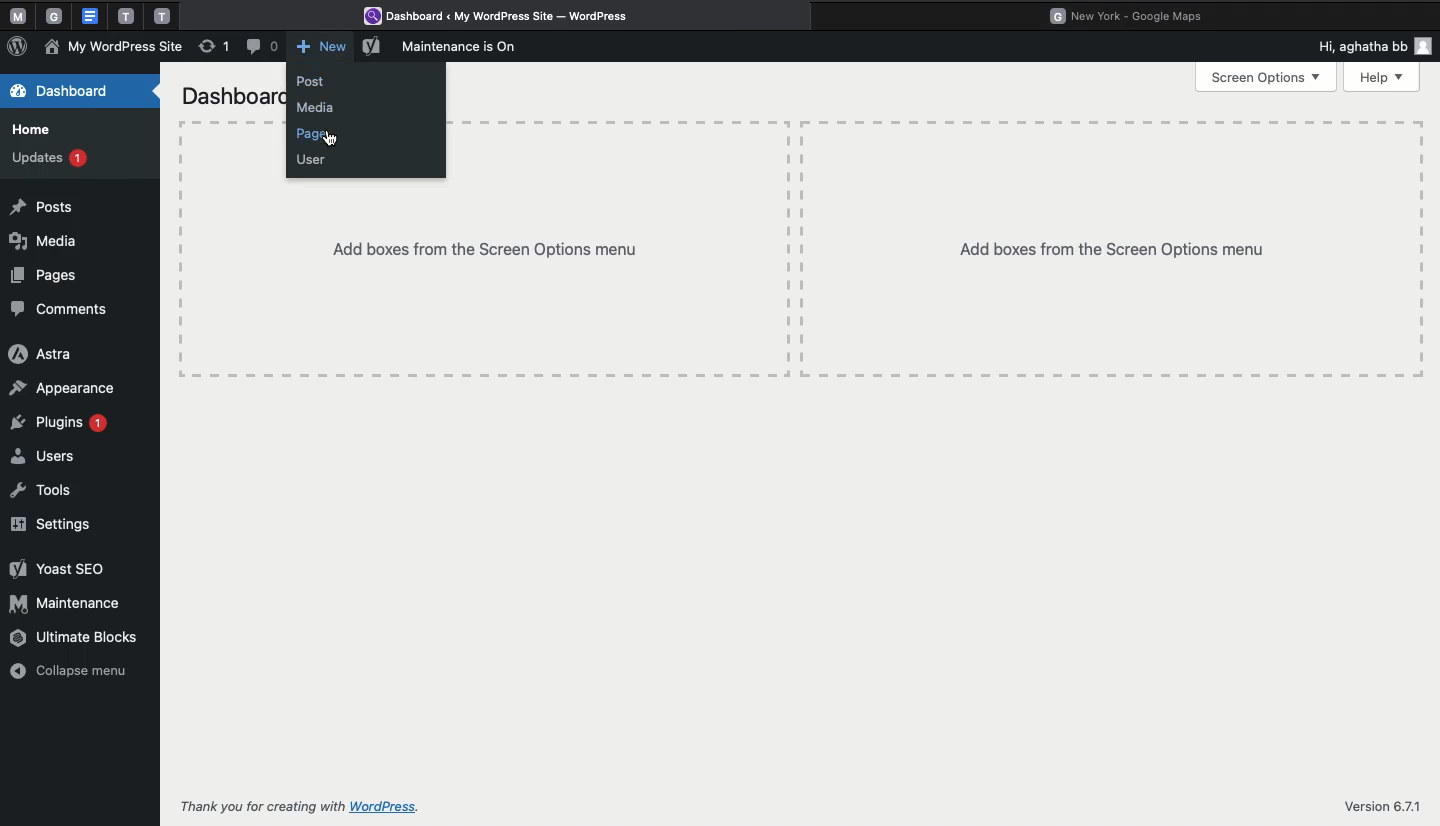  What do you see at coordinates (260, 47) in the screenshot?
I see `Comment` at bounding box center [260, 47].